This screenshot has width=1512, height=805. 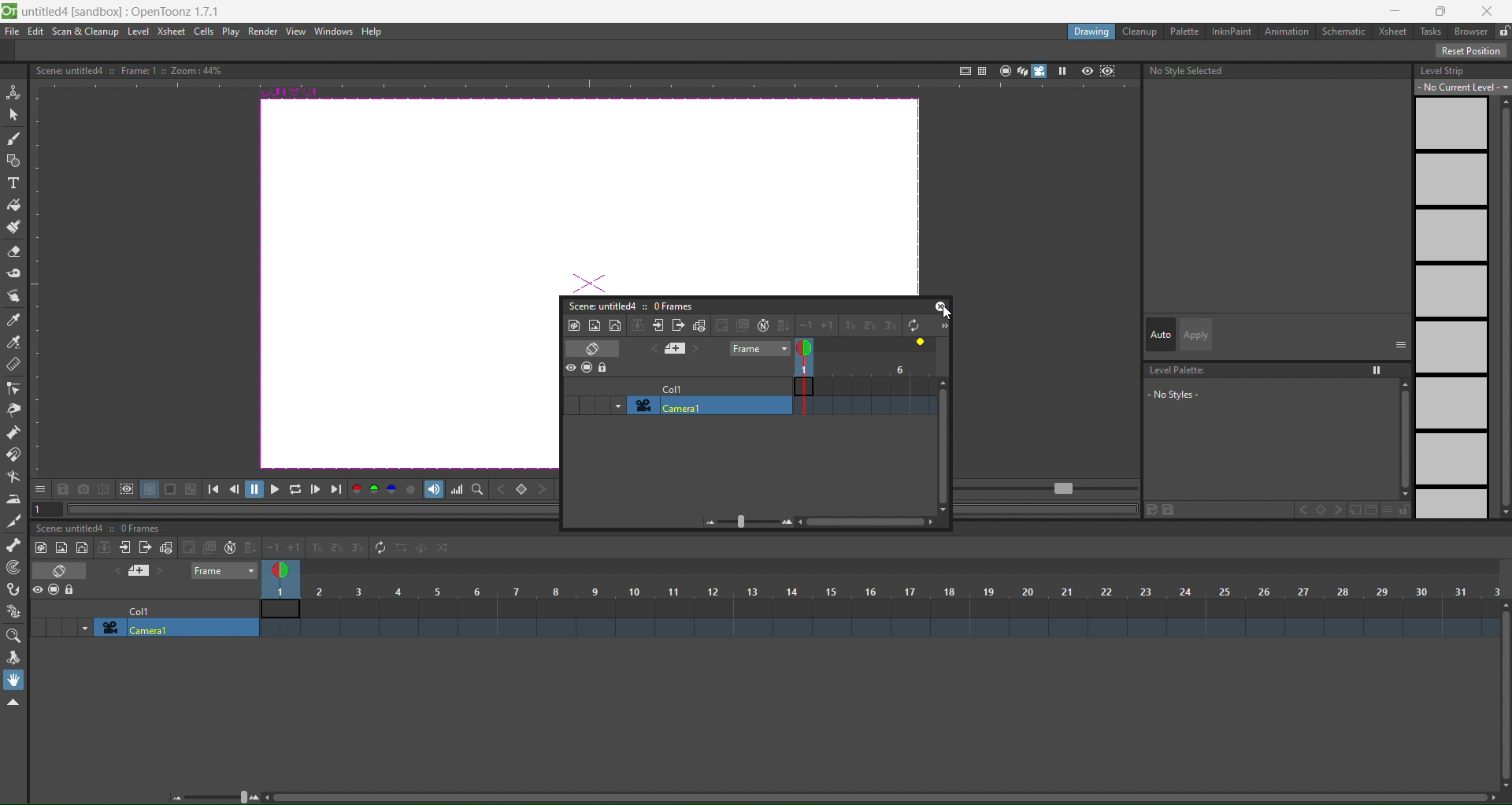 What do you see at coordinates (762, 325) in the screenshot?
I see `auto input cell number` at bounding box center [762, 325].